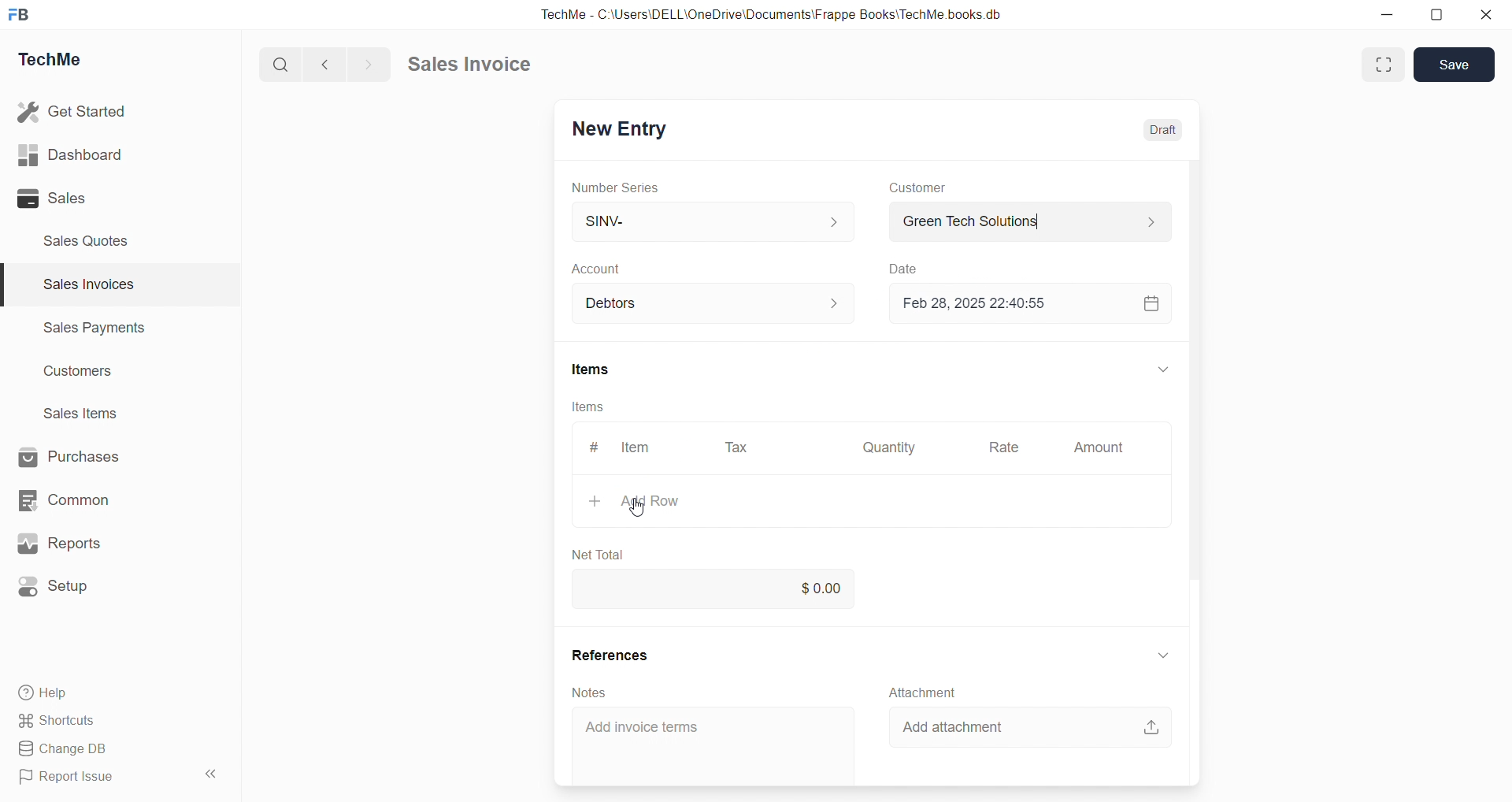  What do you see at coordinates (87, 284) in the screenshot?
I see `Sales invoices` at bounding box center [87, 284].